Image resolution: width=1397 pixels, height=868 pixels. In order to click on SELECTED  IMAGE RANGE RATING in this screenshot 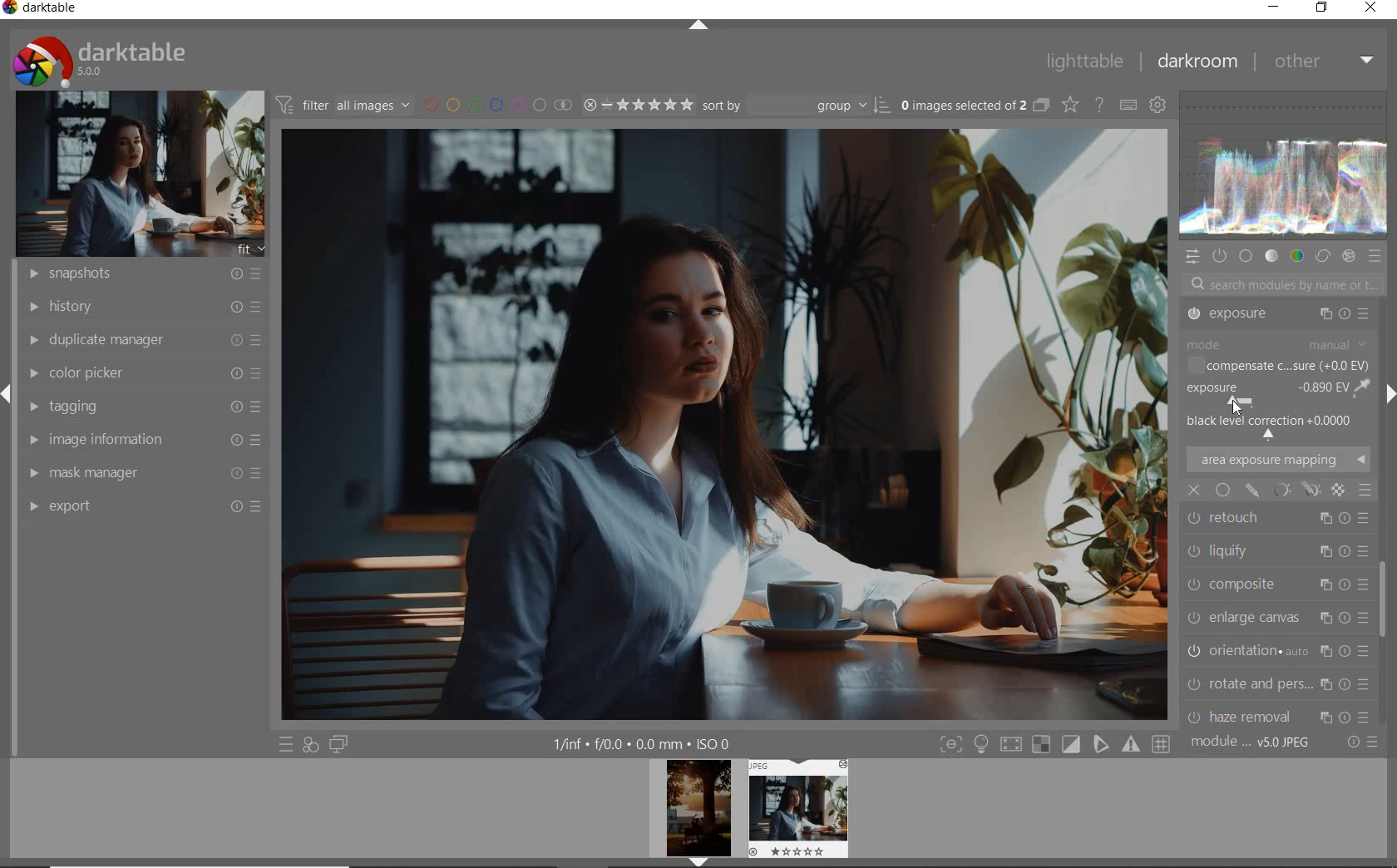, I will do `click(637, 105)`.